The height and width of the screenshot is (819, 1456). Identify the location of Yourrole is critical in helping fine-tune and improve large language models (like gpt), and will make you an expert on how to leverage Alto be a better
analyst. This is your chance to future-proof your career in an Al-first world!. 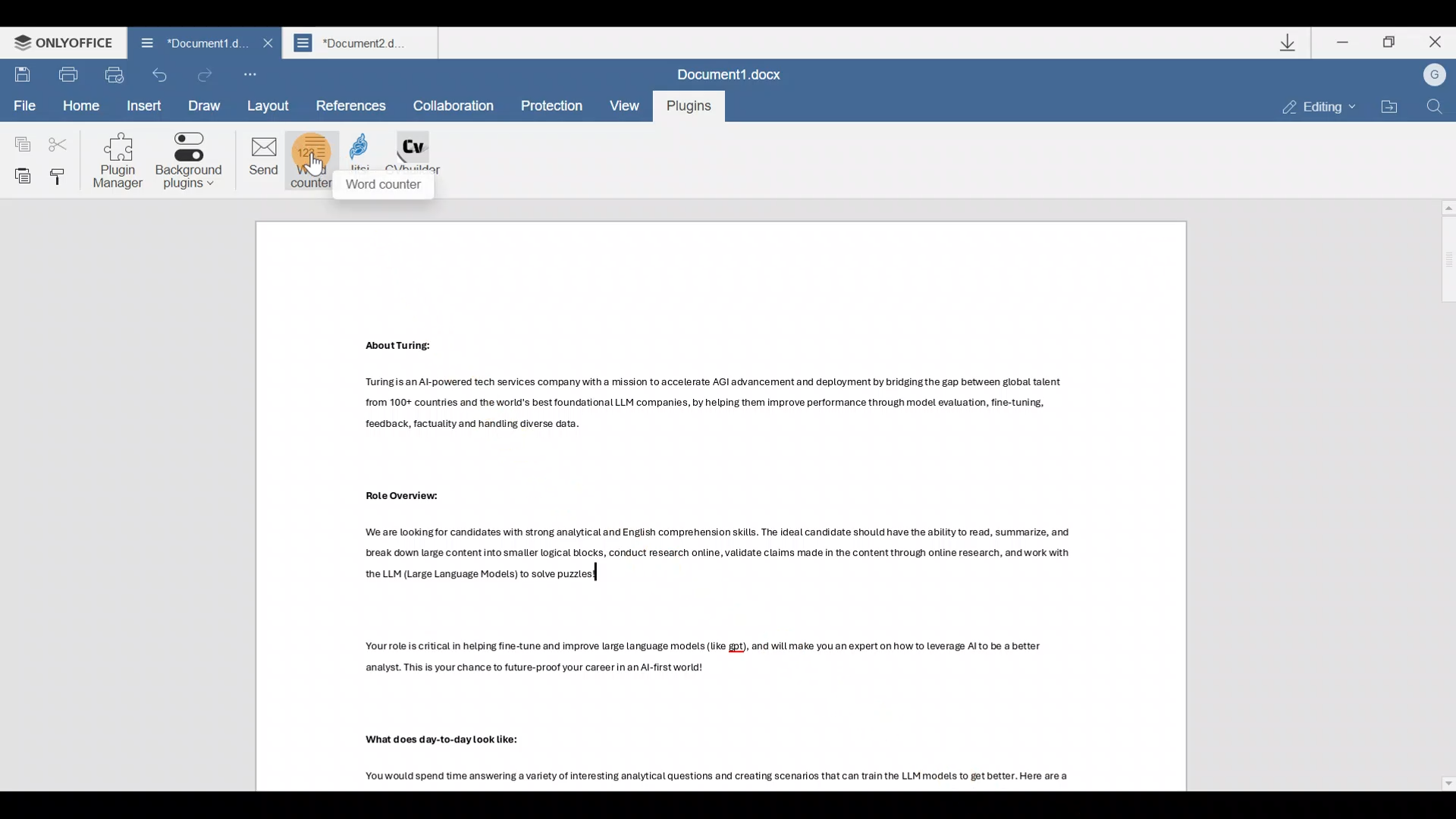
(711, 667).